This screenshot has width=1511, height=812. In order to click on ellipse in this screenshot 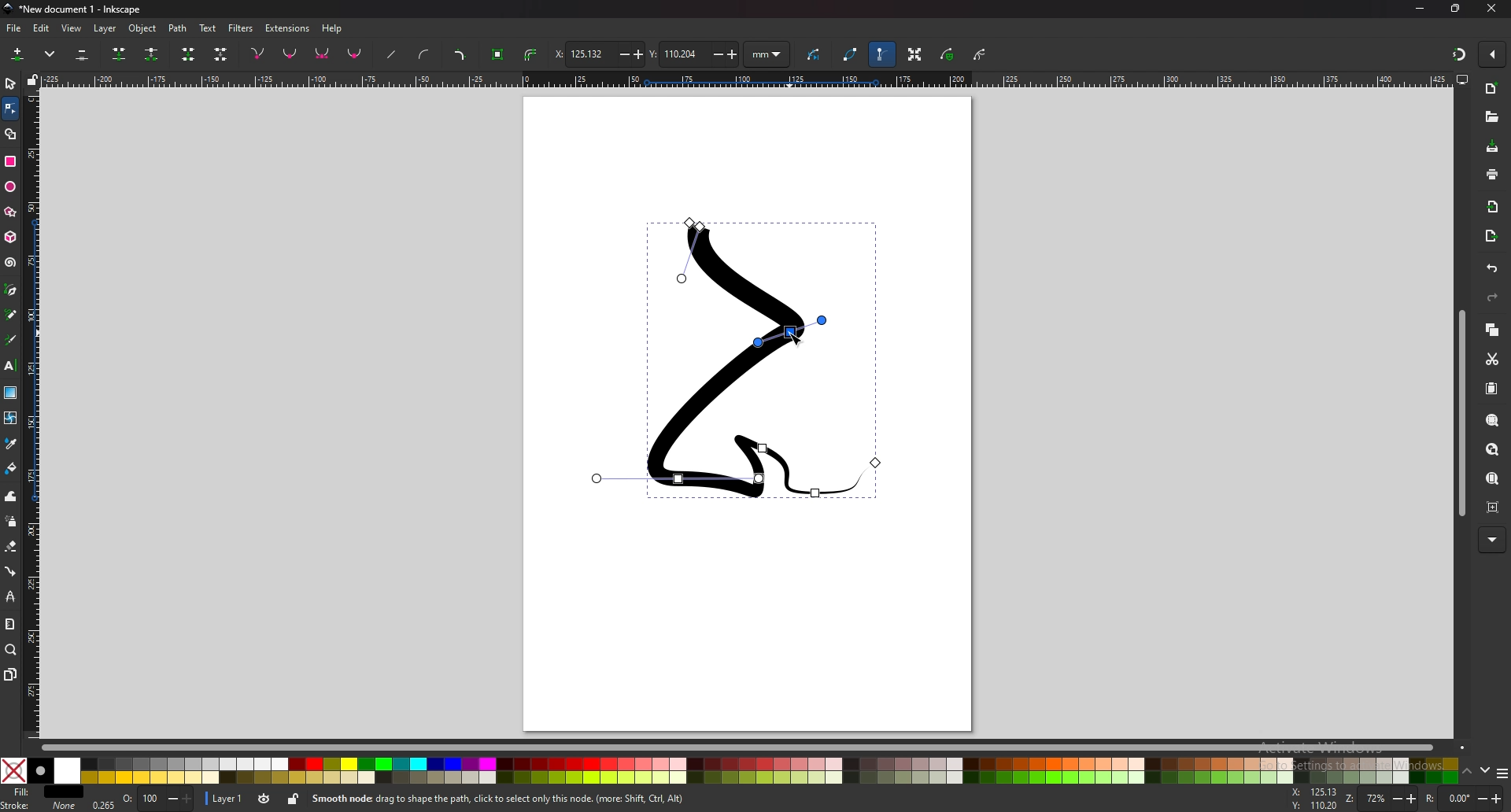, I will do `click(12, 186)`.